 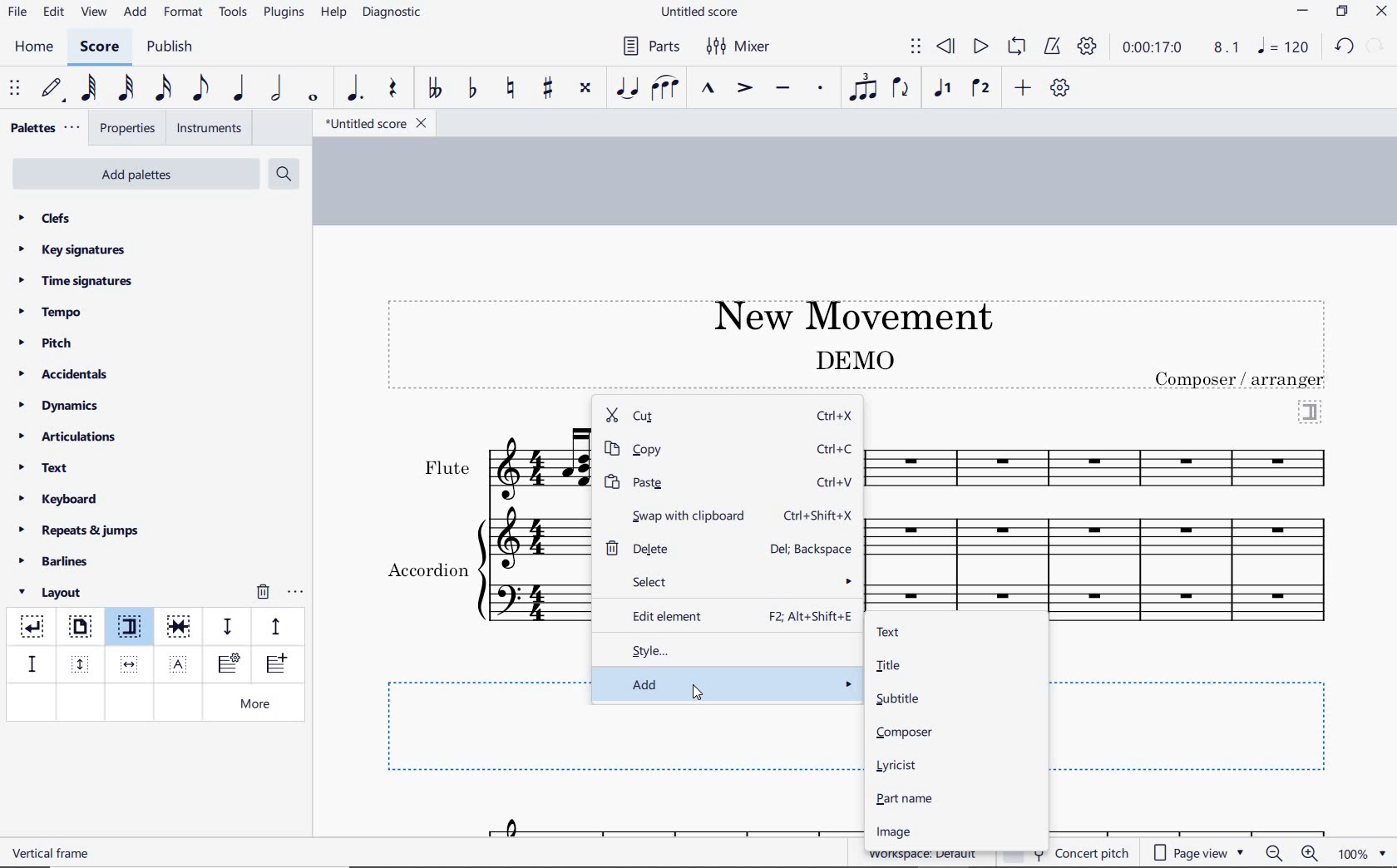 What do you see at coordinates (55, 311) in the screenshot?
I see `tempo` at bounding box center [55, 311].